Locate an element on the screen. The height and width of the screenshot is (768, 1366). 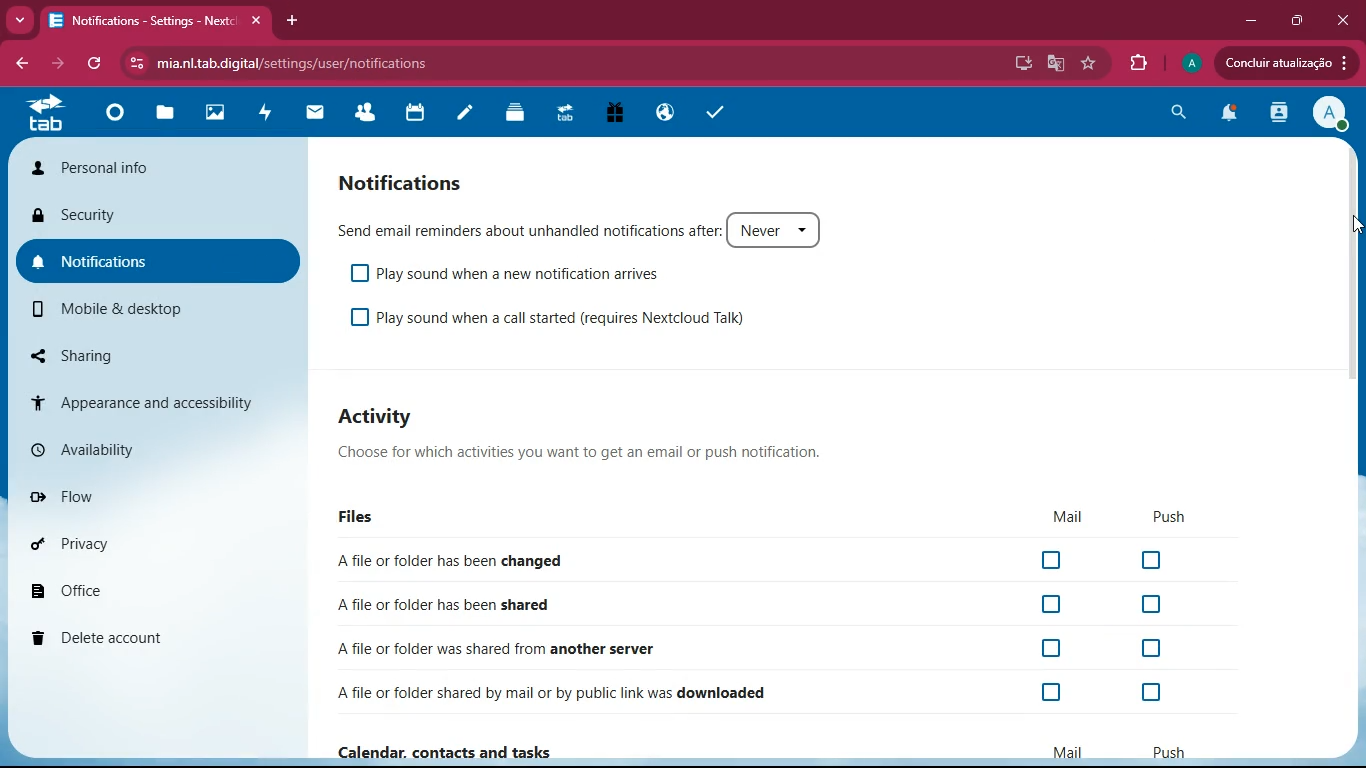
activity is located at coordinates (266, 113).